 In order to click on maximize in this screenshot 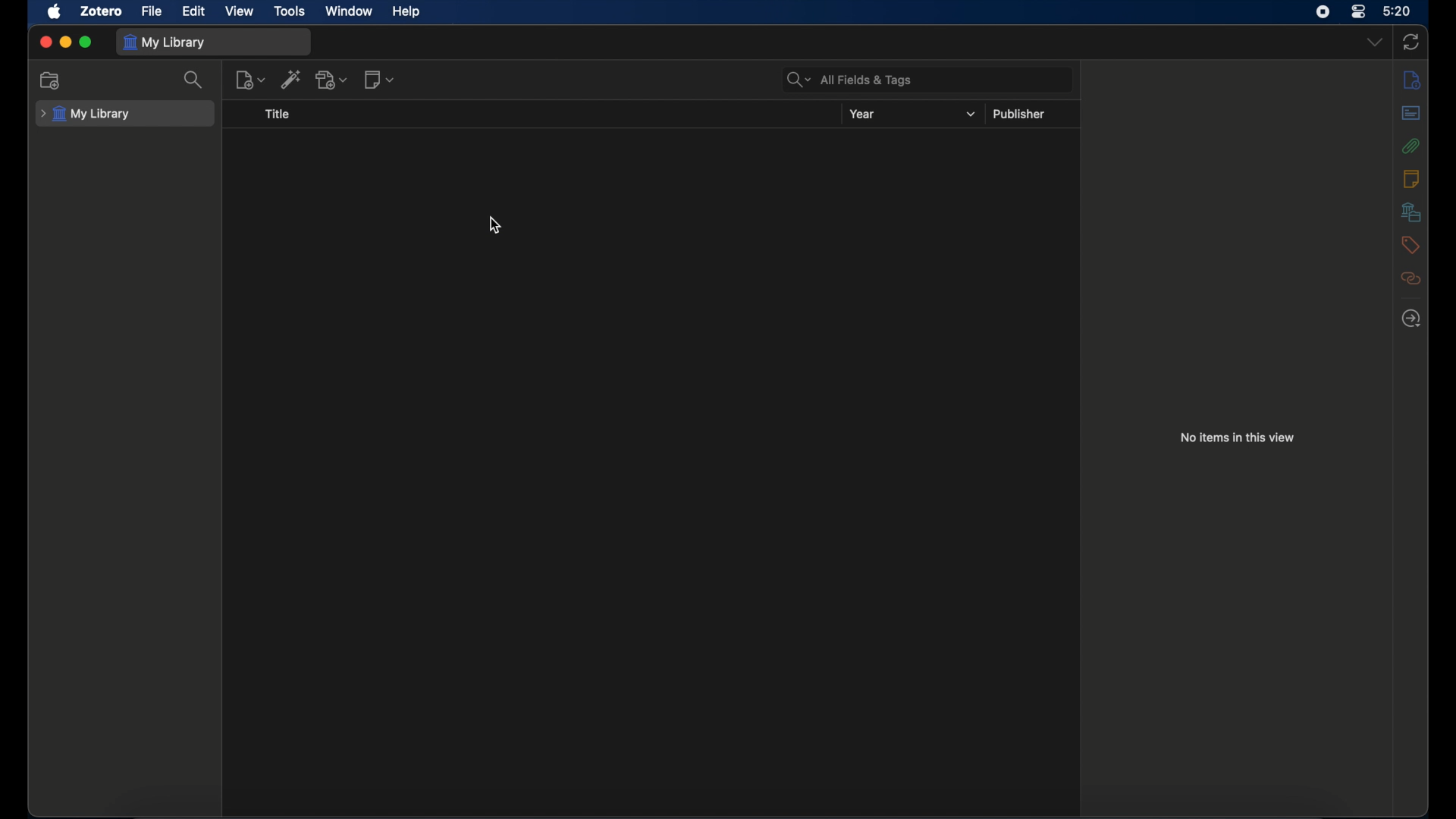, I will do `click(86, 43)`.